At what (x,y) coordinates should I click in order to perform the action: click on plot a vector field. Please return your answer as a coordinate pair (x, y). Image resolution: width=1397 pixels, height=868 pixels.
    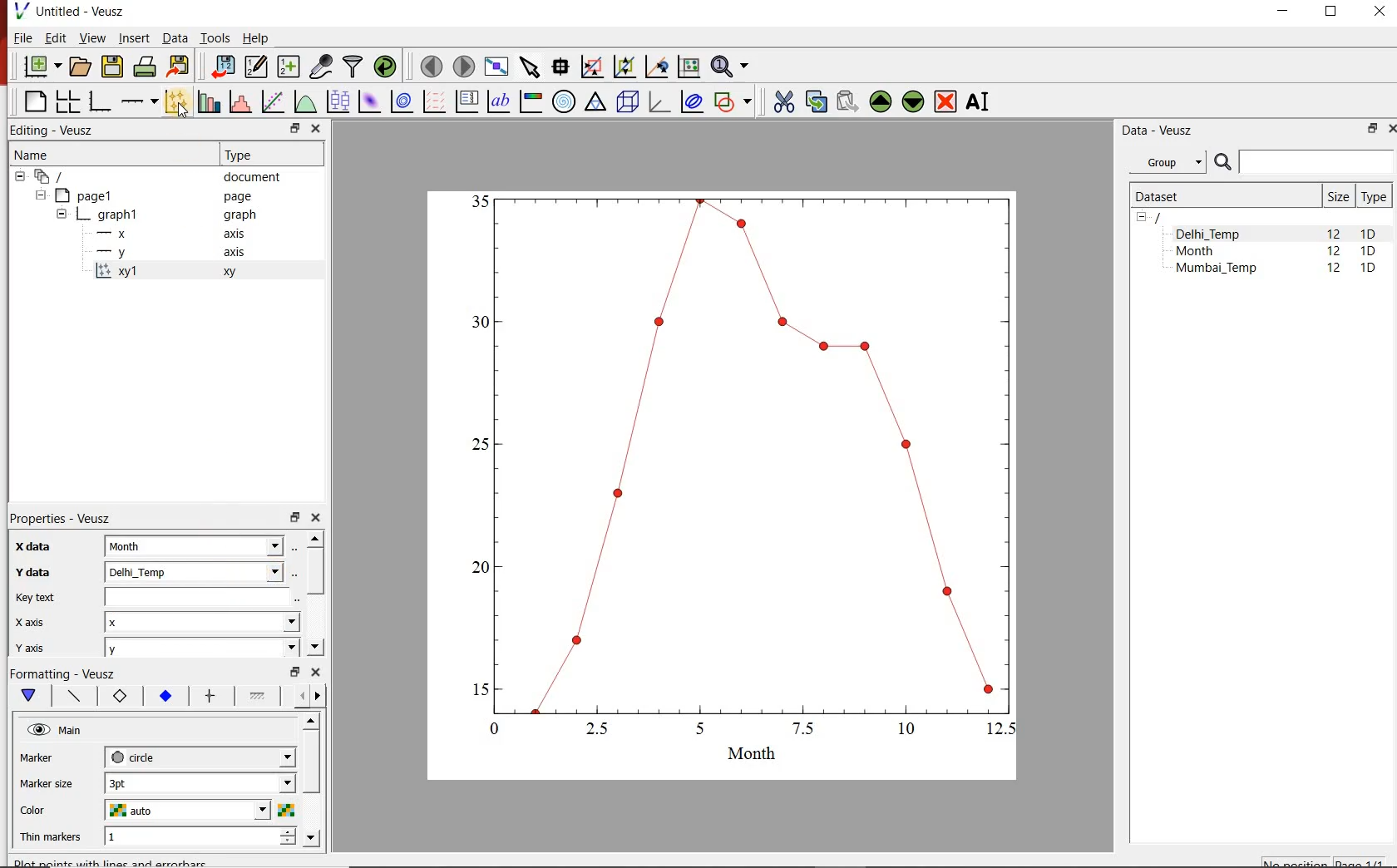
    Looking at the image, I should click on (433, 102).